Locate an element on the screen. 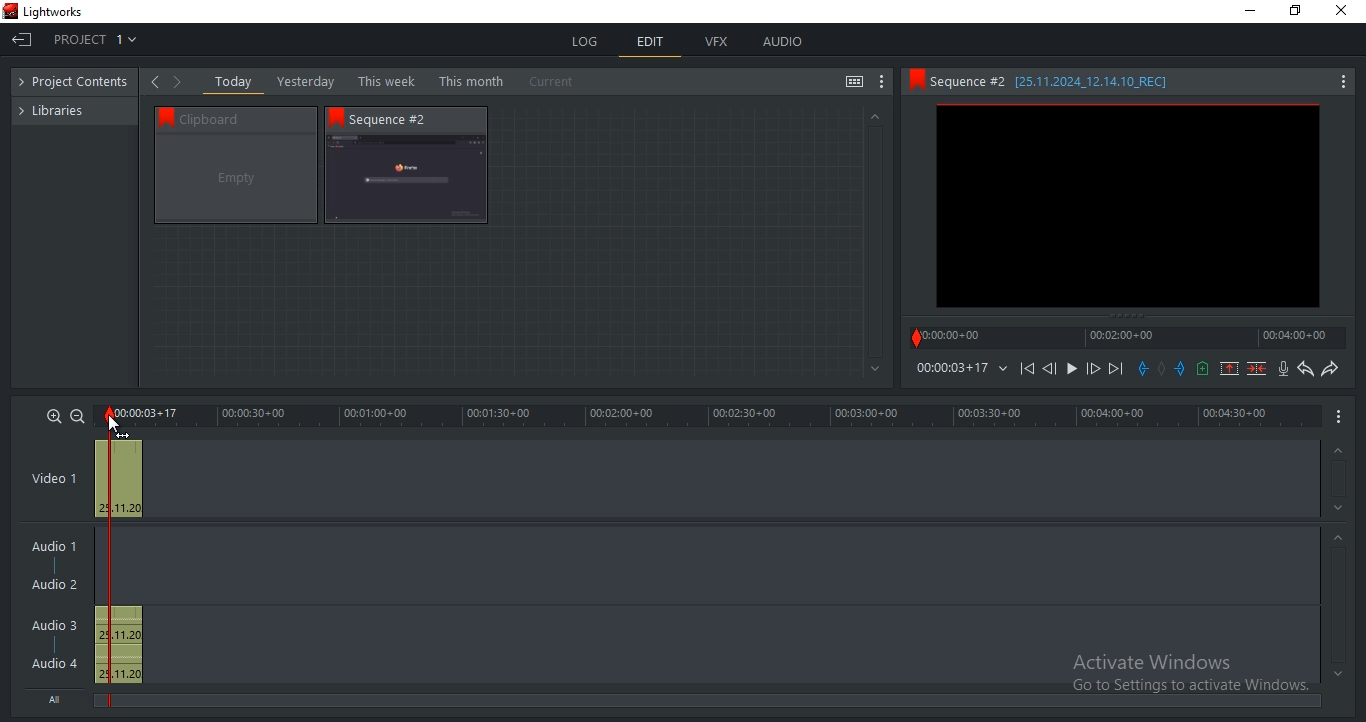 Image resolution: width=1366 pixels, height=722 pixels. edit is located at coordinates (651, 44).